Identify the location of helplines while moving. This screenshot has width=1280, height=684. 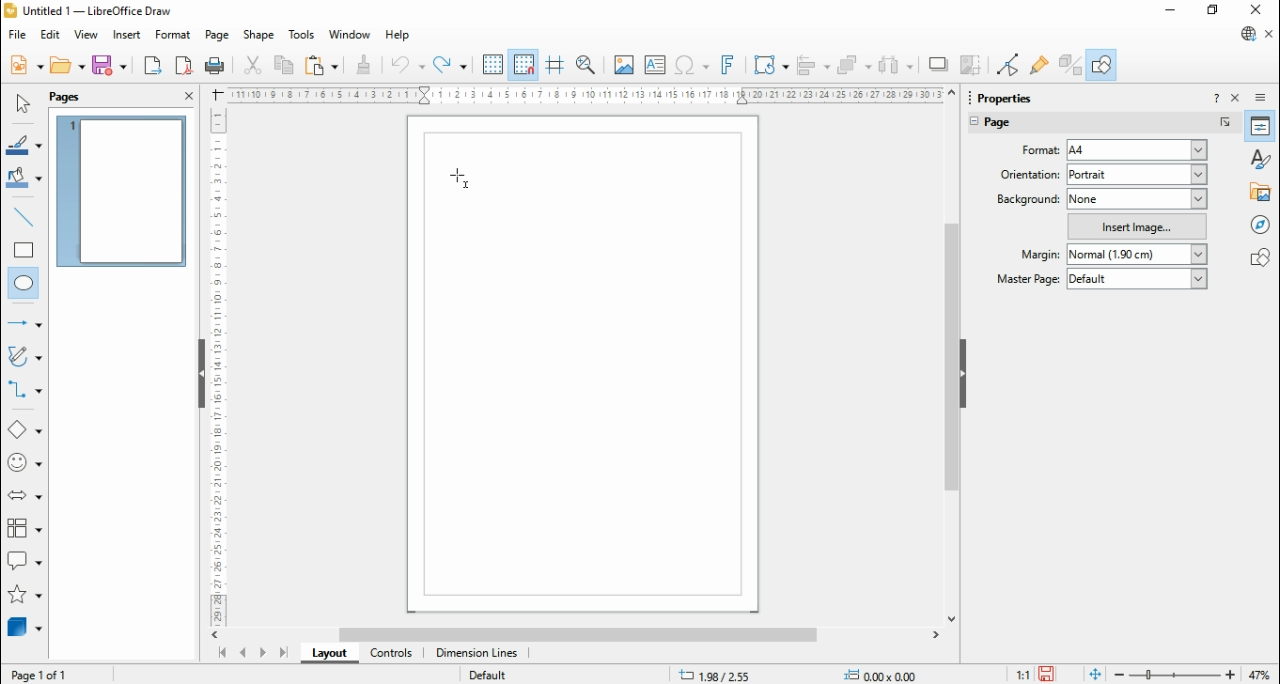
(555, 65).